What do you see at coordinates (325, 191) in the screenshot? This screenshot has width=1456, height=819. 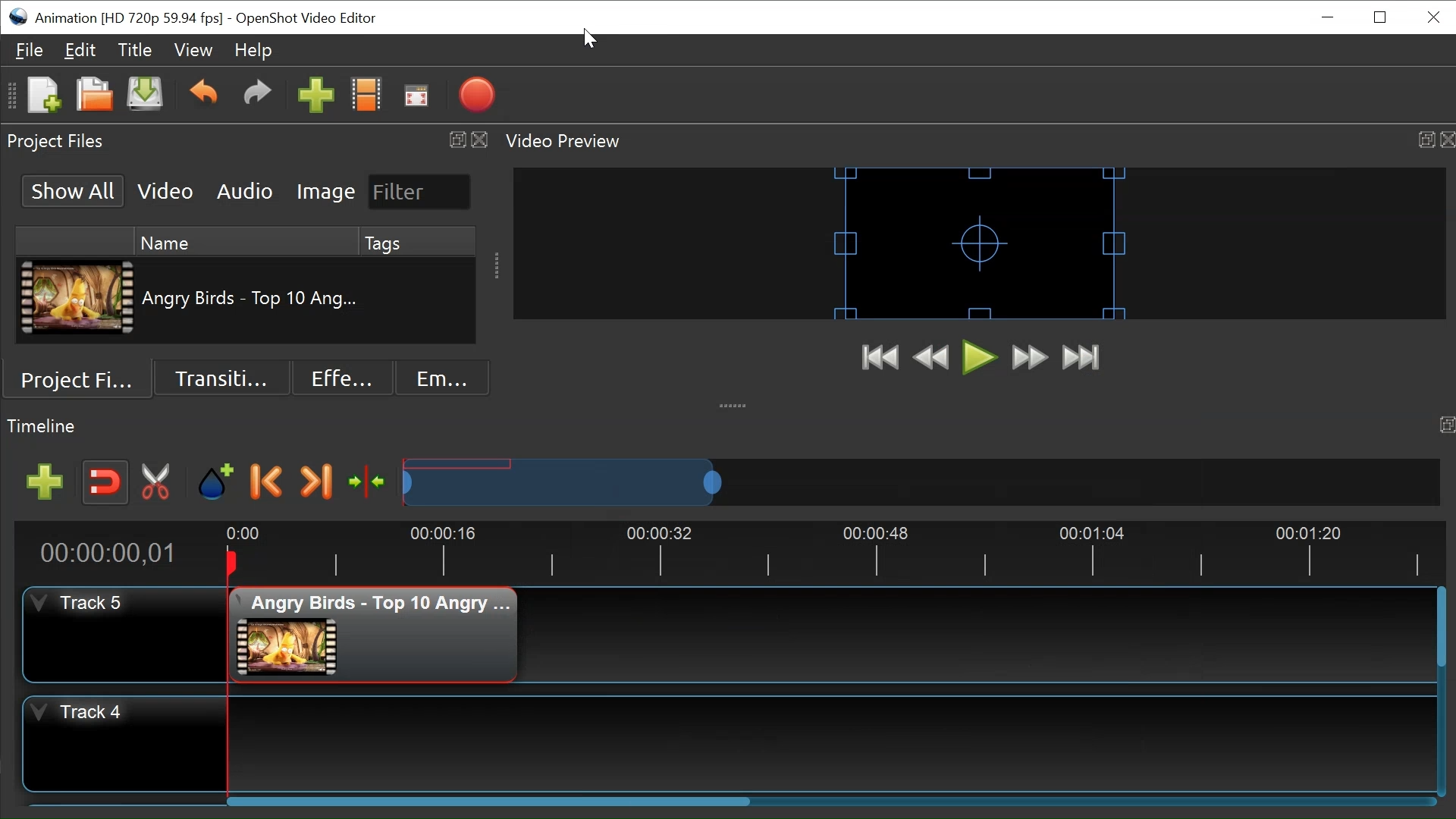 I see `Image` at bounding box center [325, 191].